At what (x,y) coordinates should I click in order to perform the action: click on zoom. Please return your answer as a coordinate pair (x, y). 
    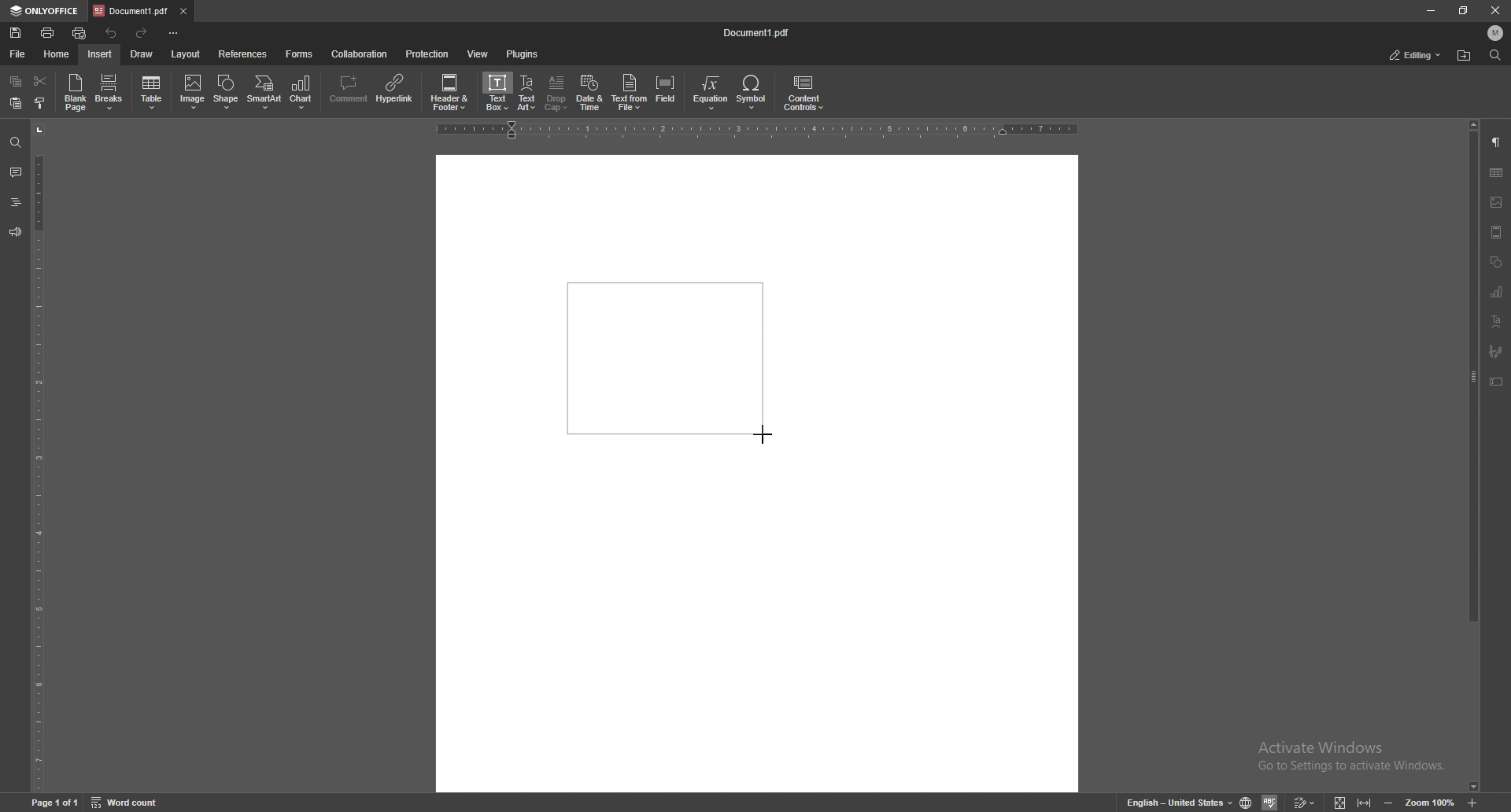
    Looking at the image, I should click on (1430, 803).